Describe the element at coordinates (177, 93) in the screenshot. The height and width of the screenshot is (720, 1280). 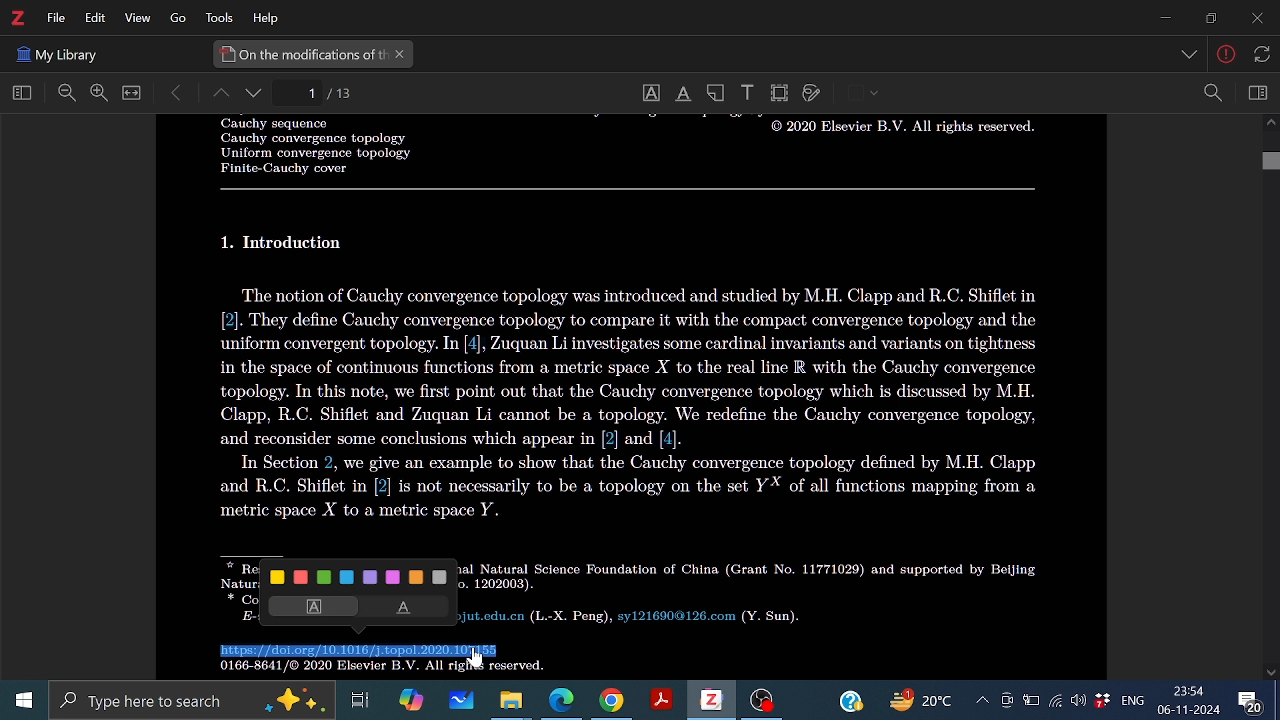
I see `Move back` at that location.